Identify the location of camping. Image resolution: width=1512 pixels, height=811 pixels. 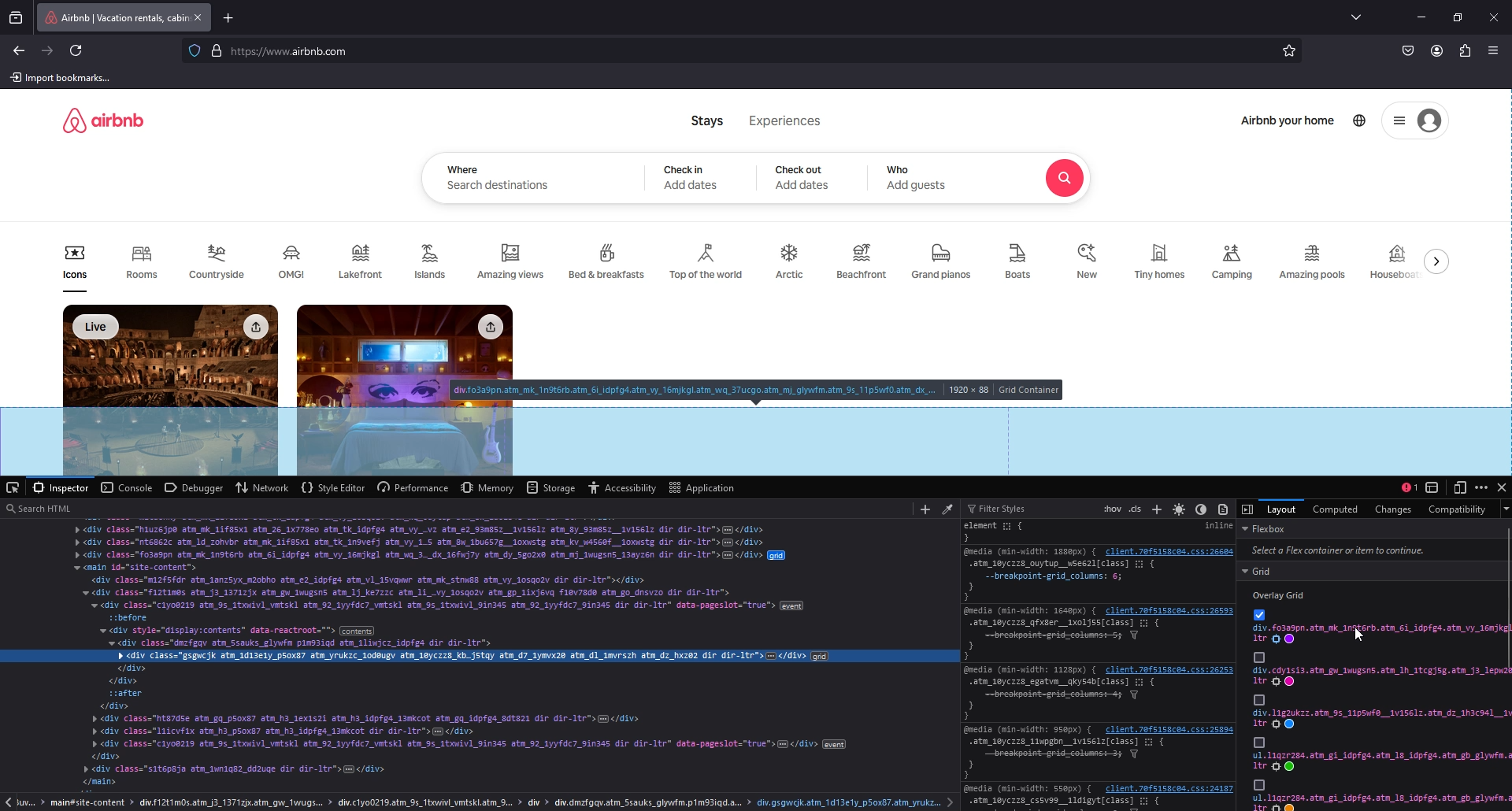
(1232, 261).